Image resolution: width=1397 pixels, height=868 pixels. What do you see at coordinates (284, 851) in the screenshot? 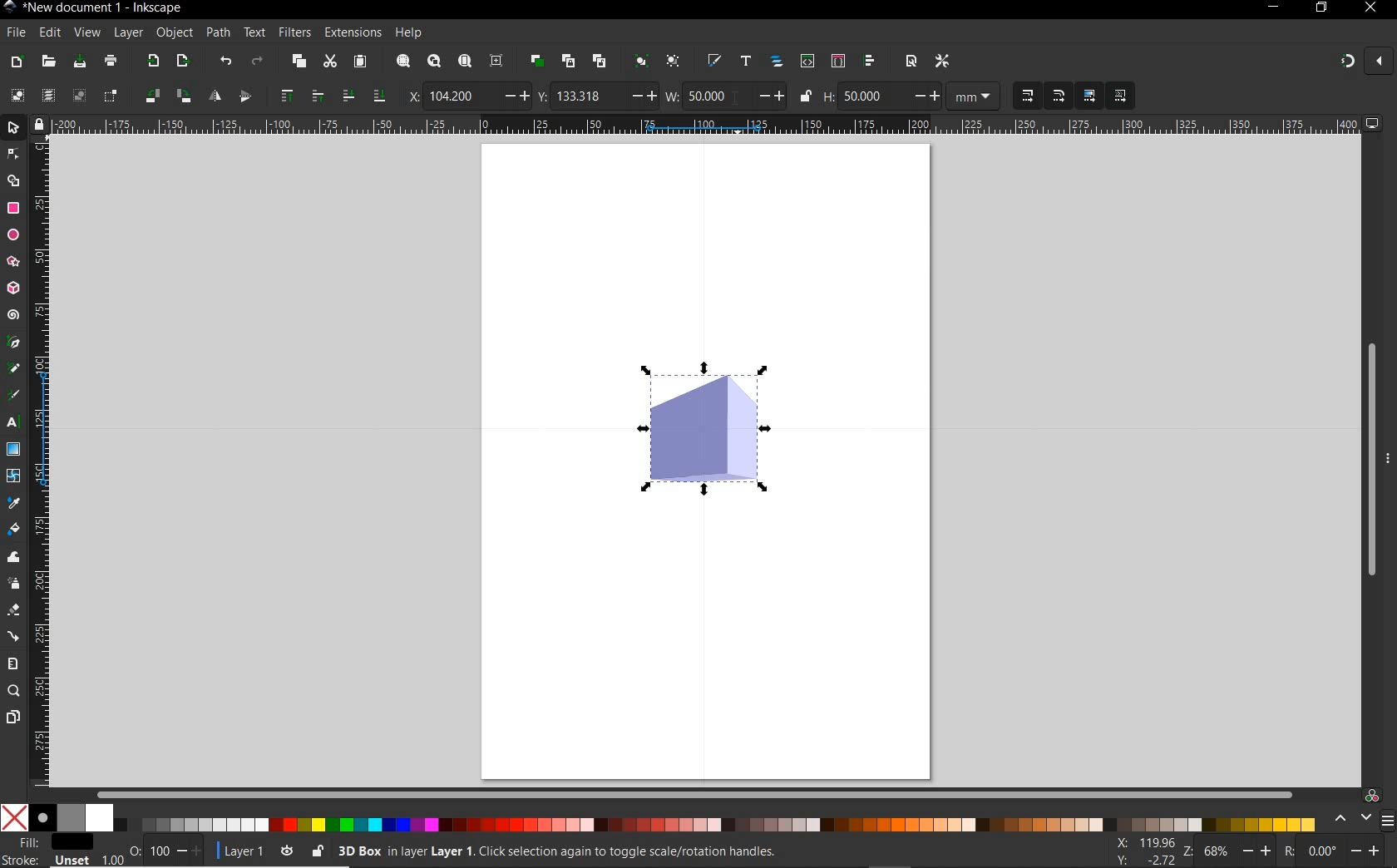
I see `toggle current layer visibility` at bounding box center [284, 851].